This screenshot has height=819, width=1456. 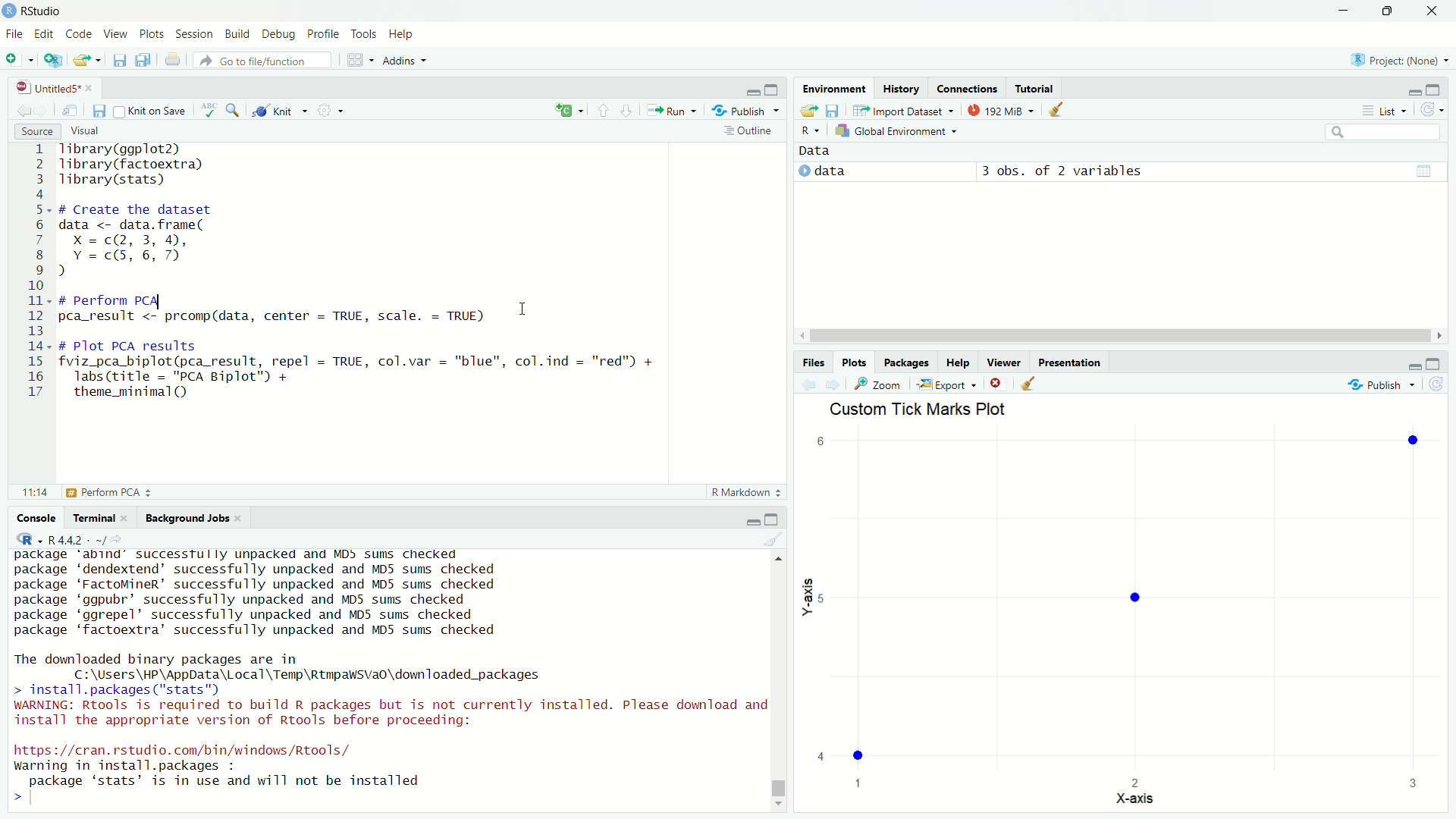 What do you see at coordinates (264, 60) in the screenshot?
I see `go to file/function` at bounding box center [264, 60].